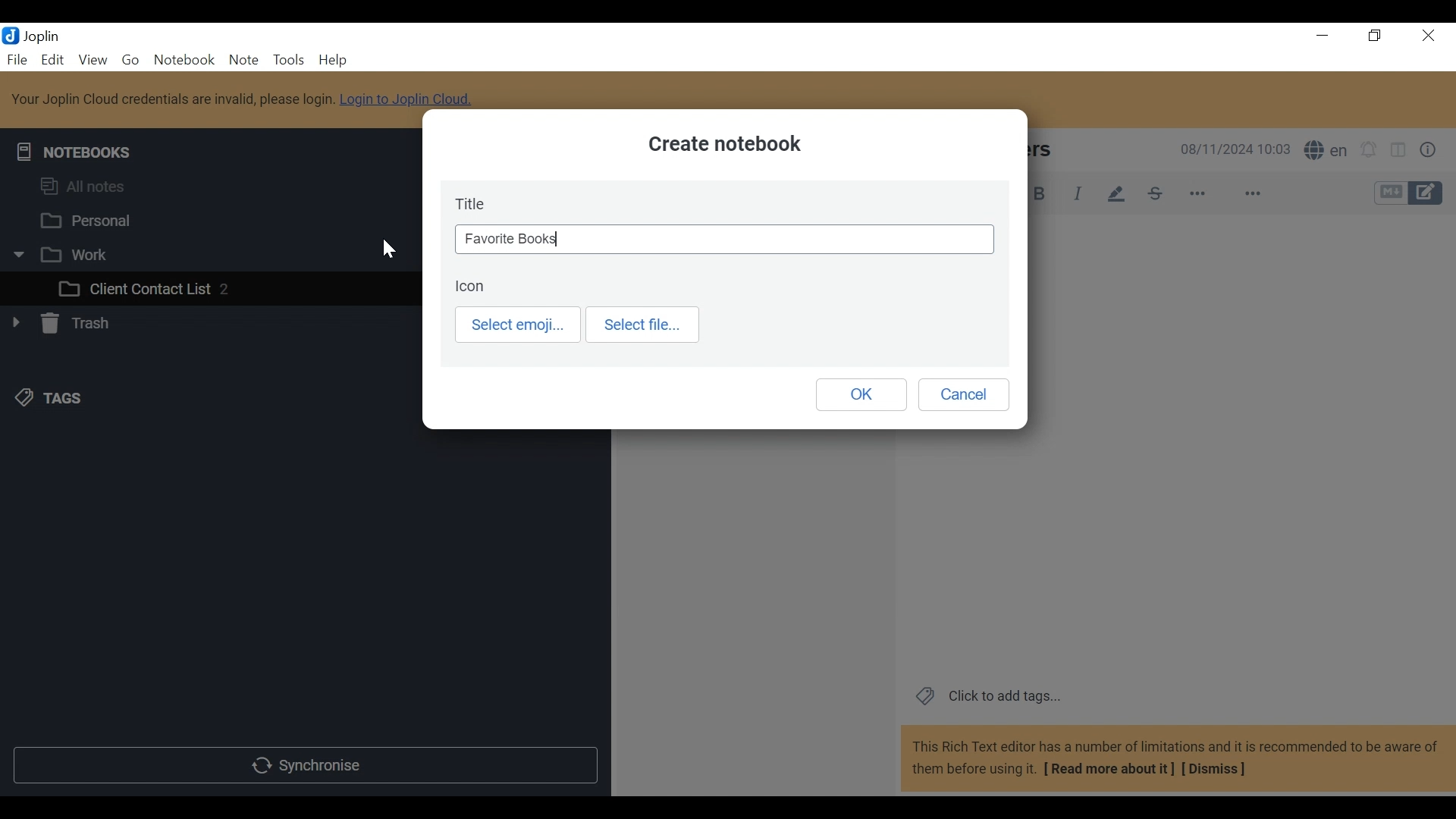  Describe the element at coordinates (89, 220) in the screenshot. I see `Personal` at that location.